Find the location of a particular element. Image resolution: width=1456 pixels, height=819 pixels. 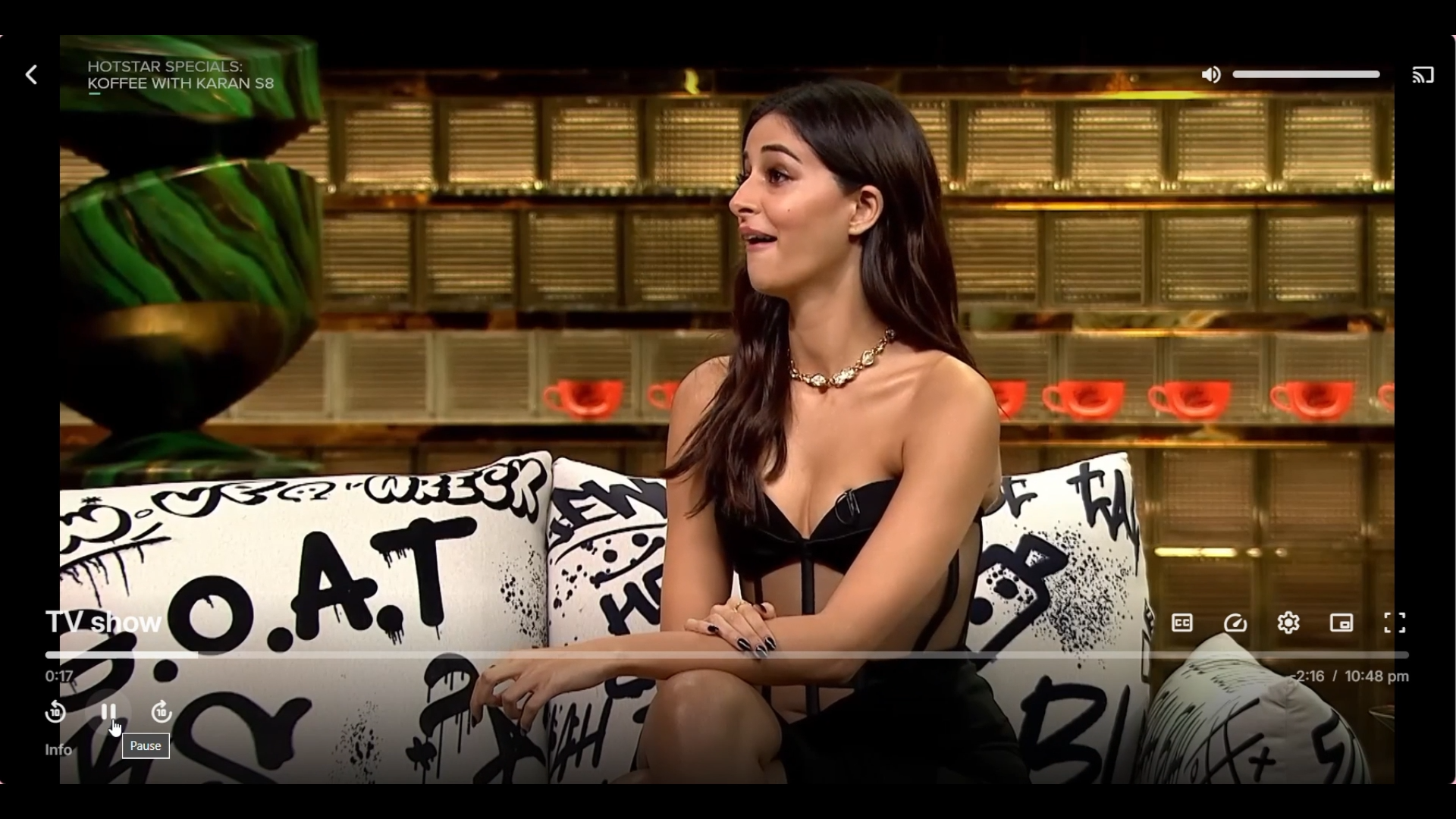

cursor is located at coordinates (120, 730).